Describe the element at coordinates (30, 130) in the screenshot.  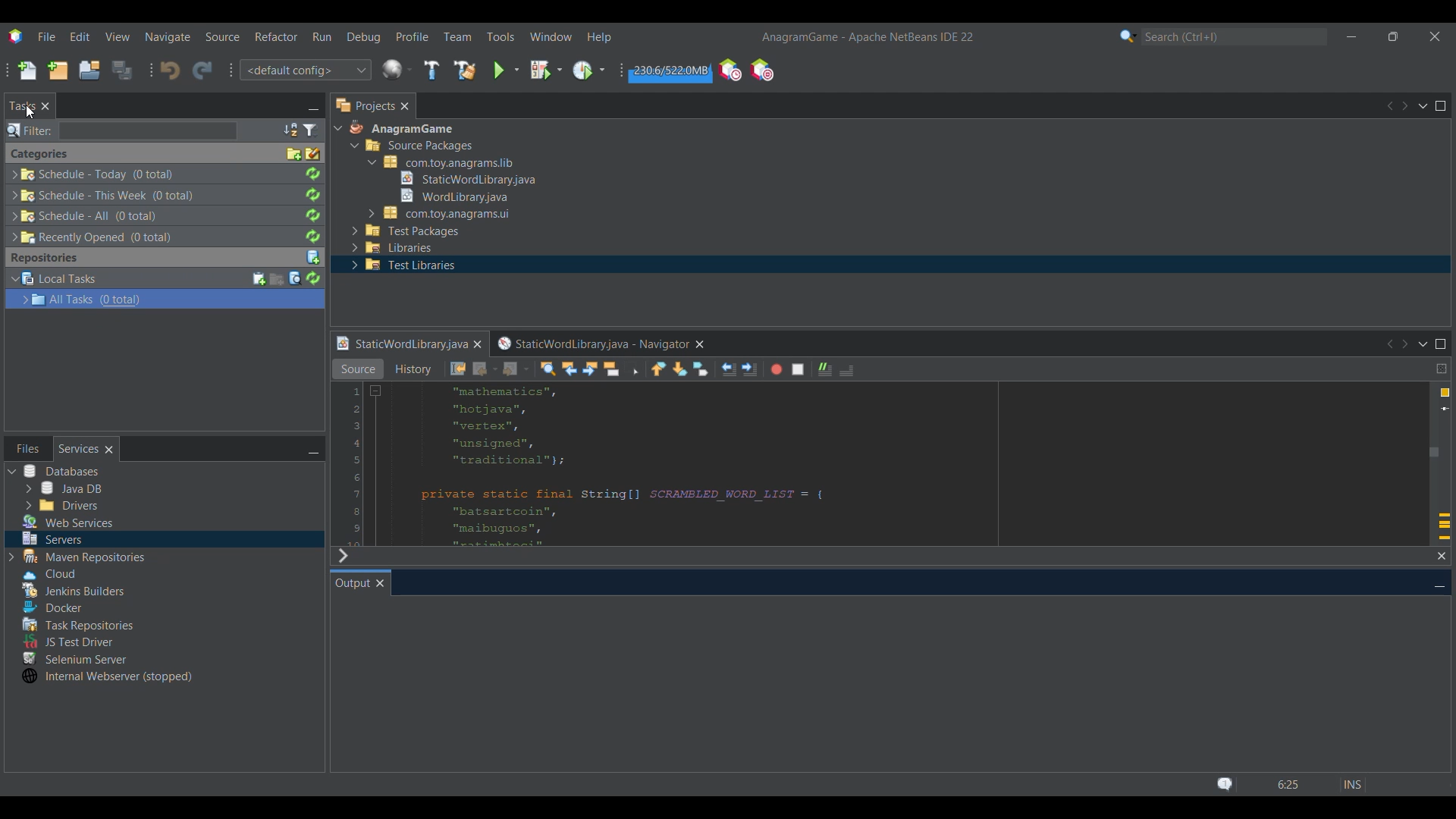
I see `Indicates search box` at that location.